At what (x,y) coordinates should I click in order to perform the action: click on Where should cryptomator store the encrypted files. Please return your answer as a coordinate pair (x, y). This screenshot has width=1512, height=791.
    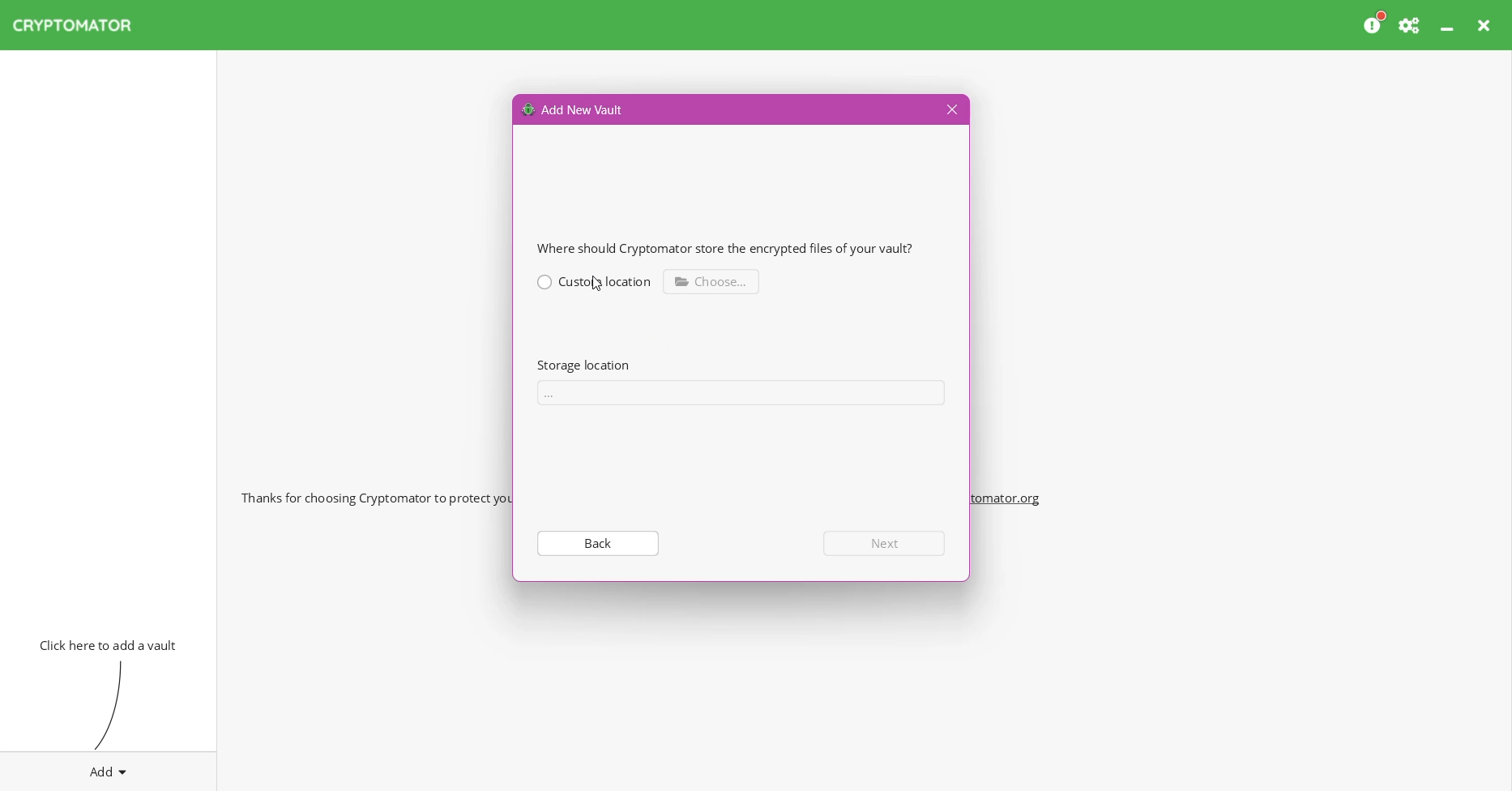
    Looking at the image, I should click on (733, 248).